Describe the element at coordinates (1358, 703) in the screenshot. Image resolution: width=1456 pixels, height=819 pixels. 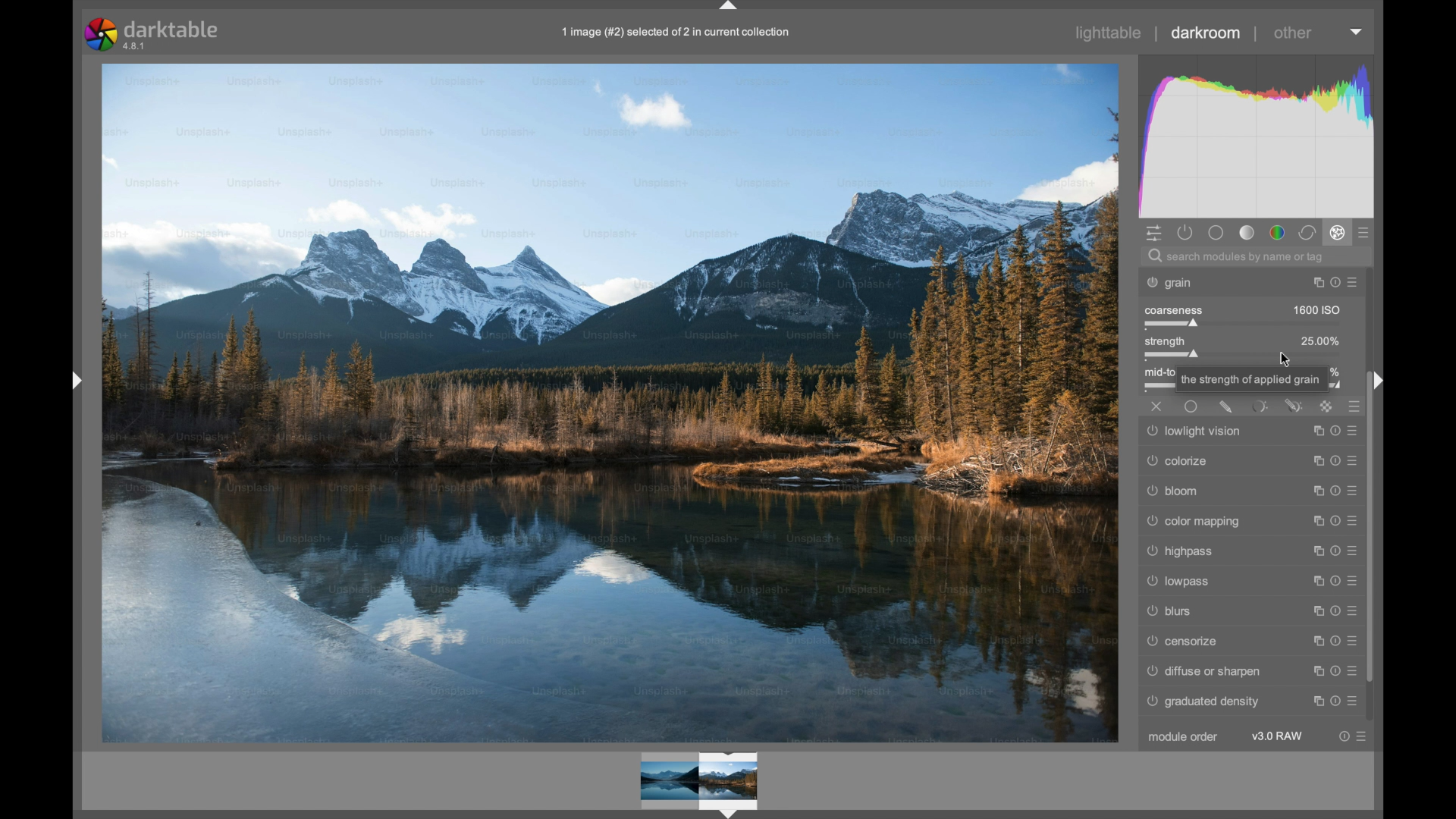
I see `presets` at that location.